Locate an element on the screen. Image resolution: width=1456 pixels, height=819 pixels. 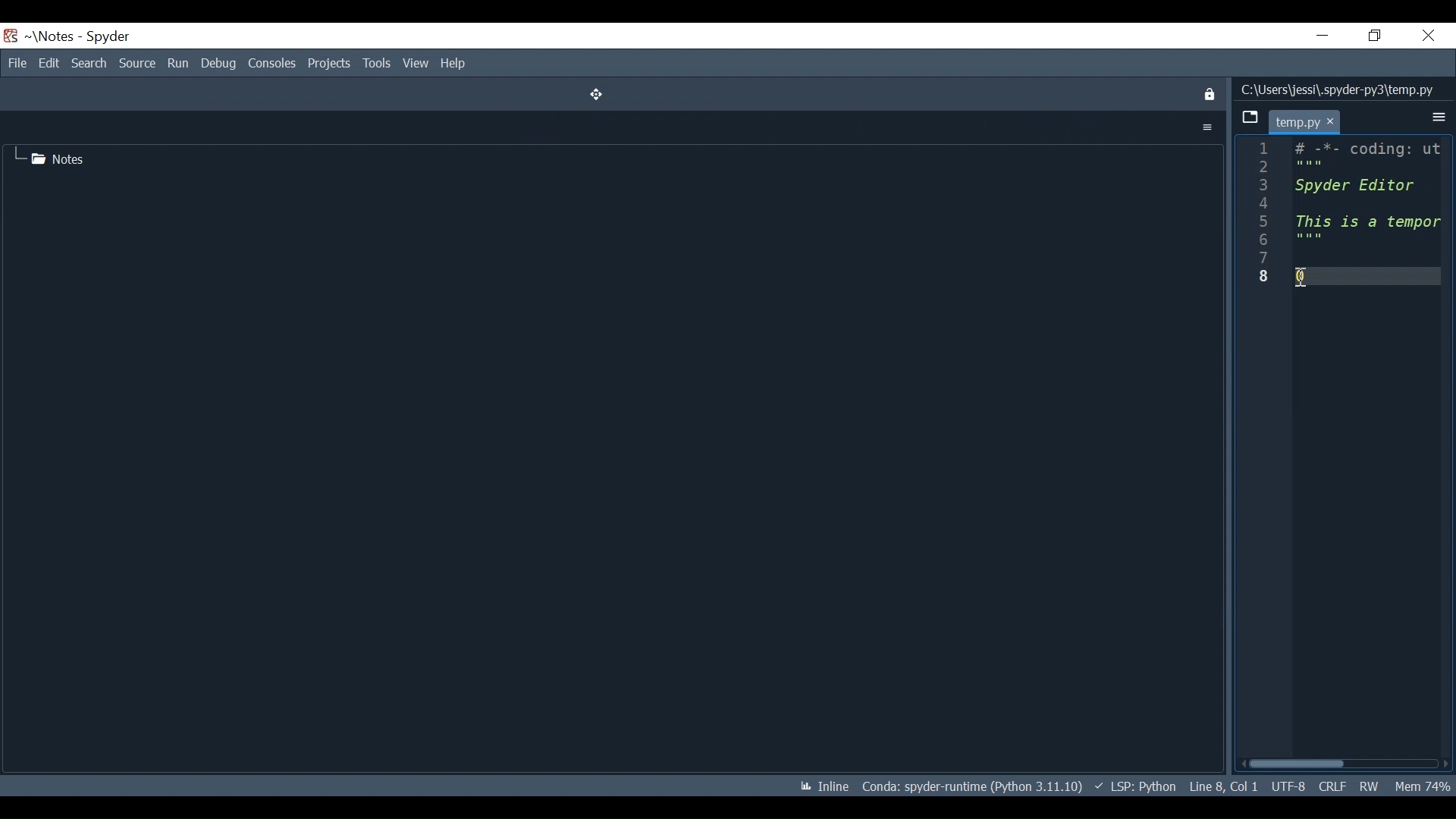
Help is located at coordinates (456, 64).